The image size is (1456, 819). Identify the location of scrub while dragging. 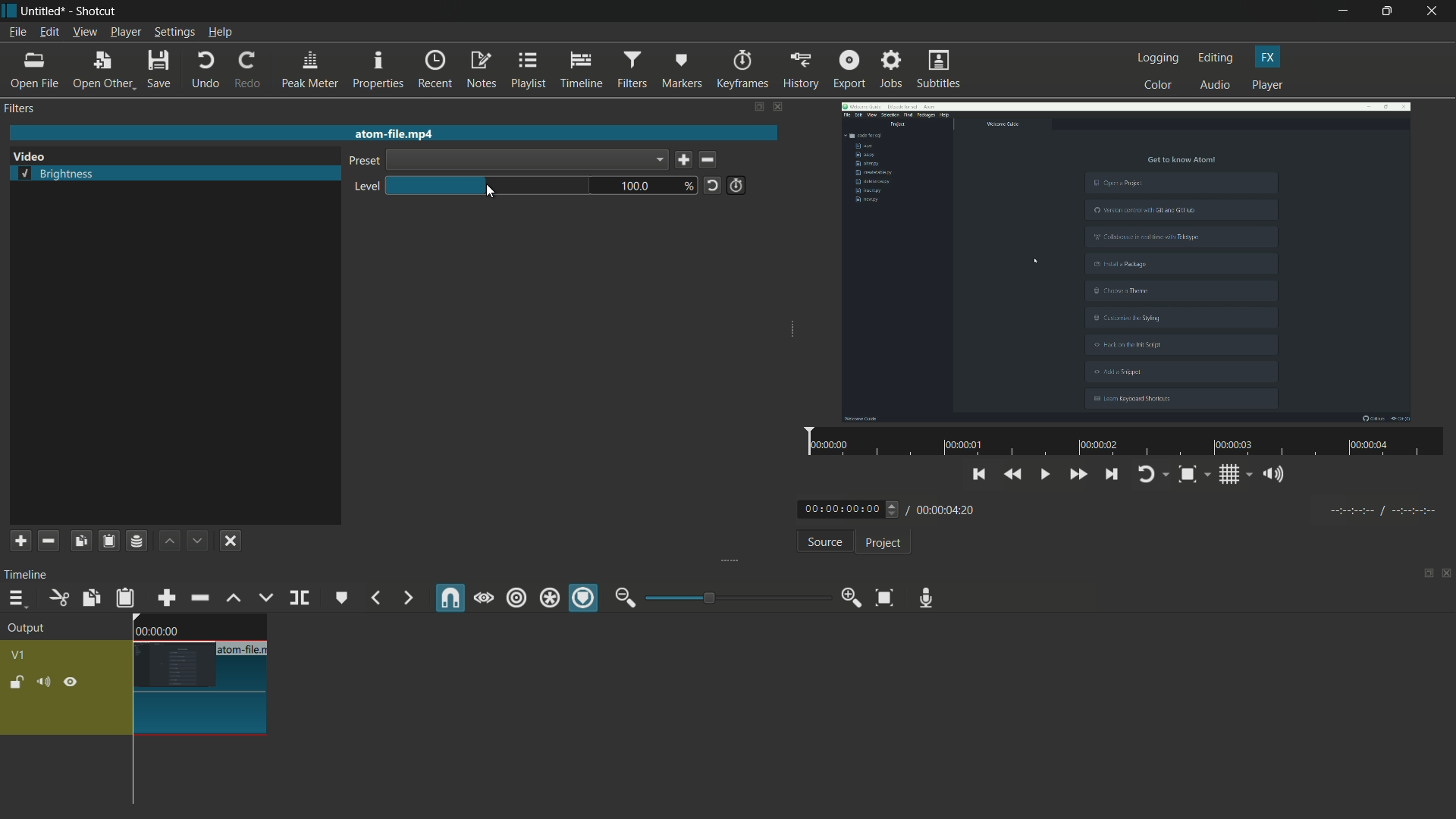
(483, 598).